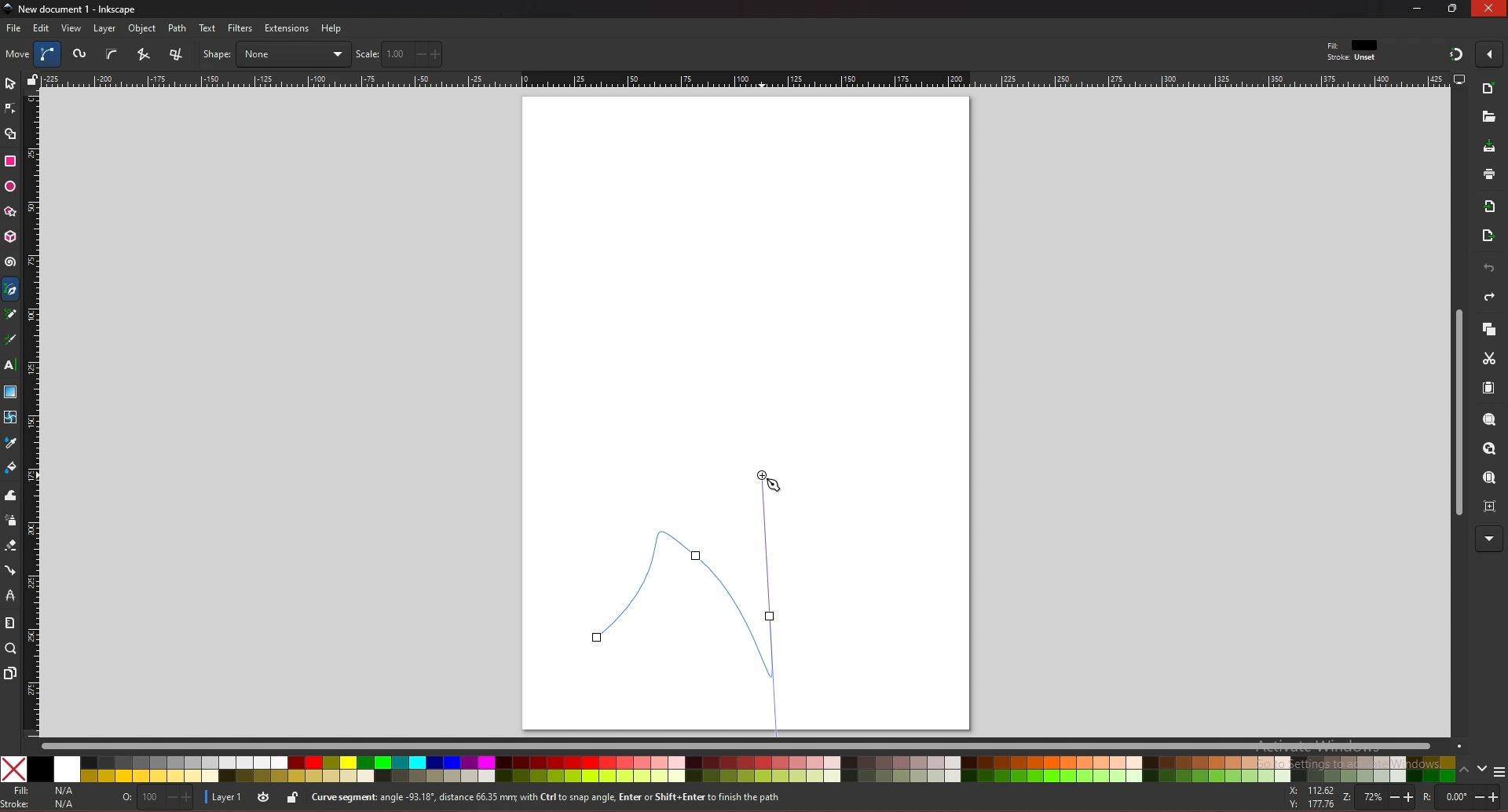 This screenshot has width=1508, height=812. I want to click on x and y coordinates, so click(1310, 797).